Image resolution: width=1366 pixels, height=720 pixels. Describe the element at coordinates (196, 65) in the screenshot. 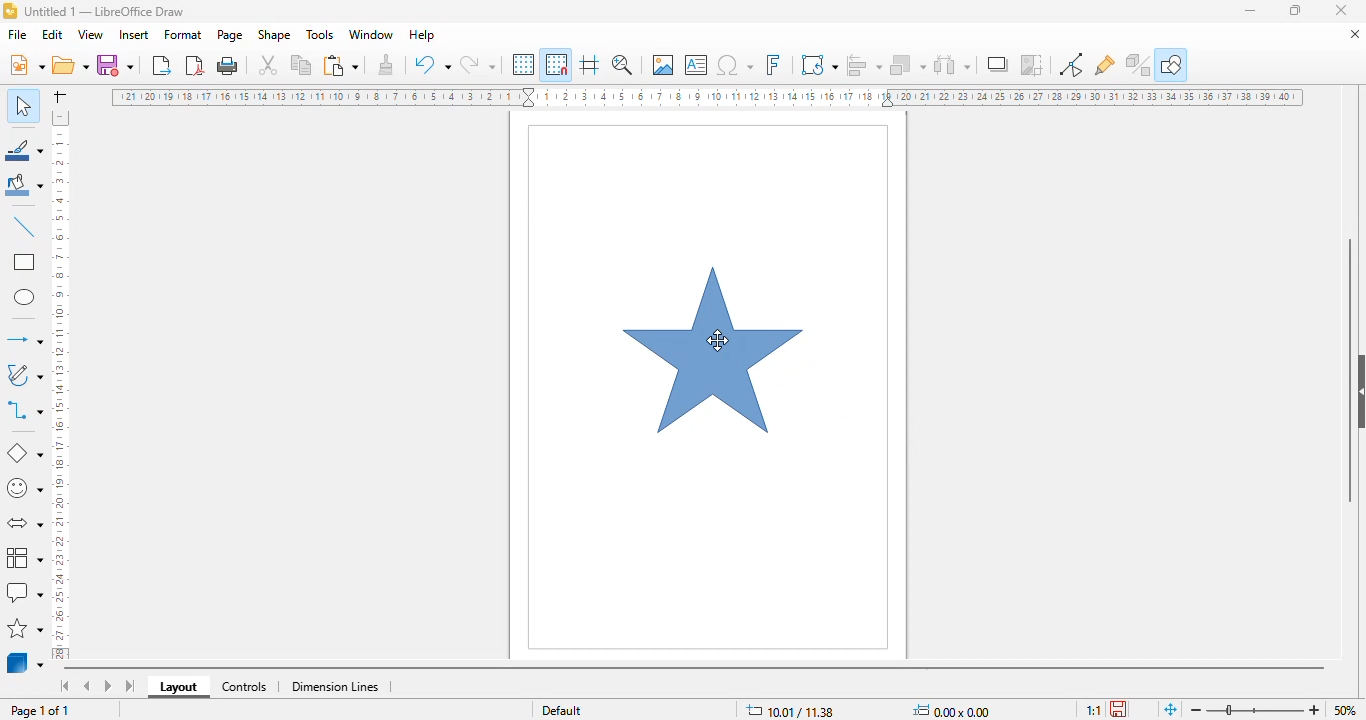

I see `export directly as PDF` at that location.